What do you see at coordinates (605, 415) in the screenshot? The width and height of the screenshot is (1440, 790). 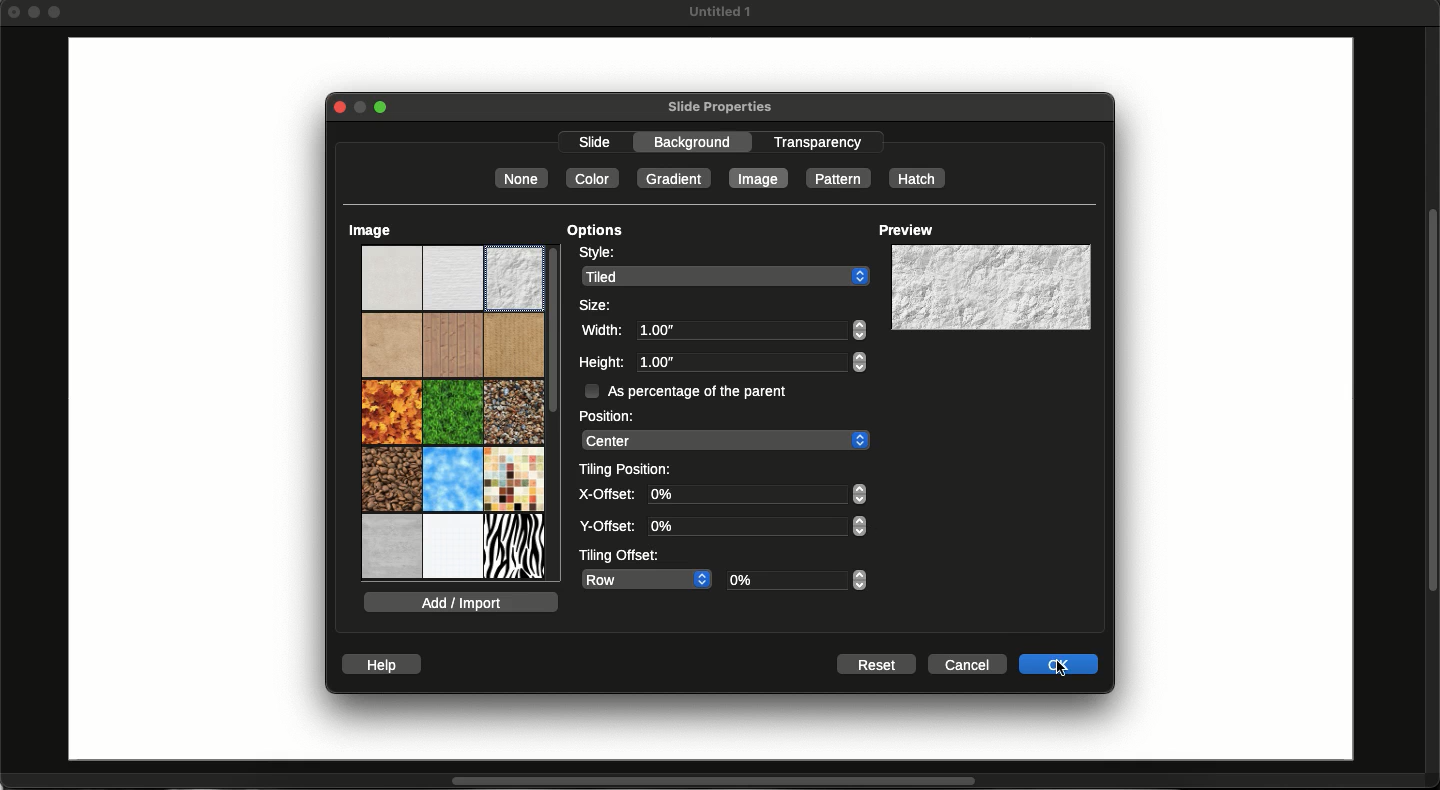 I see `Position:` at bounding box center [605, 415].